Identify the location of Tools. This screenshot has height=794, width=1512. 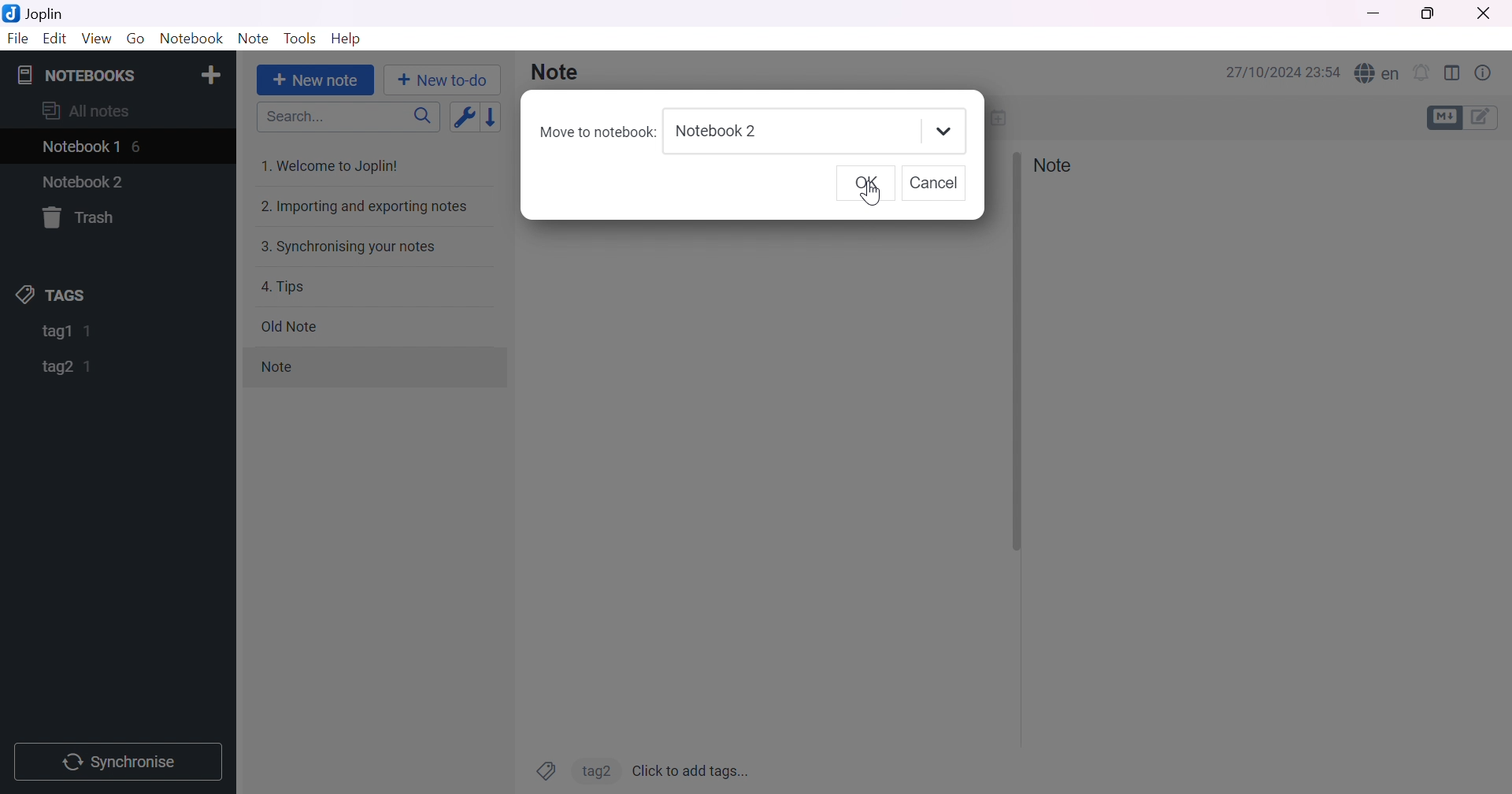
(298, 38).